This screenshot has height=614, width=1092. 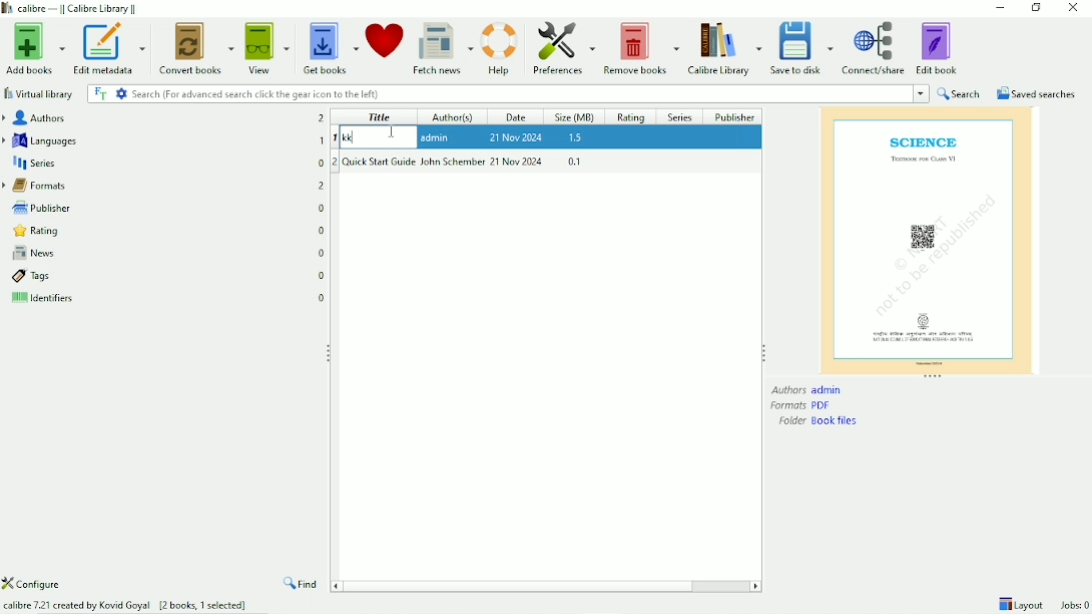 What do you see at coordinates (322, 208) in the screenshot?
I see `0` at bounding box center [322, 208].